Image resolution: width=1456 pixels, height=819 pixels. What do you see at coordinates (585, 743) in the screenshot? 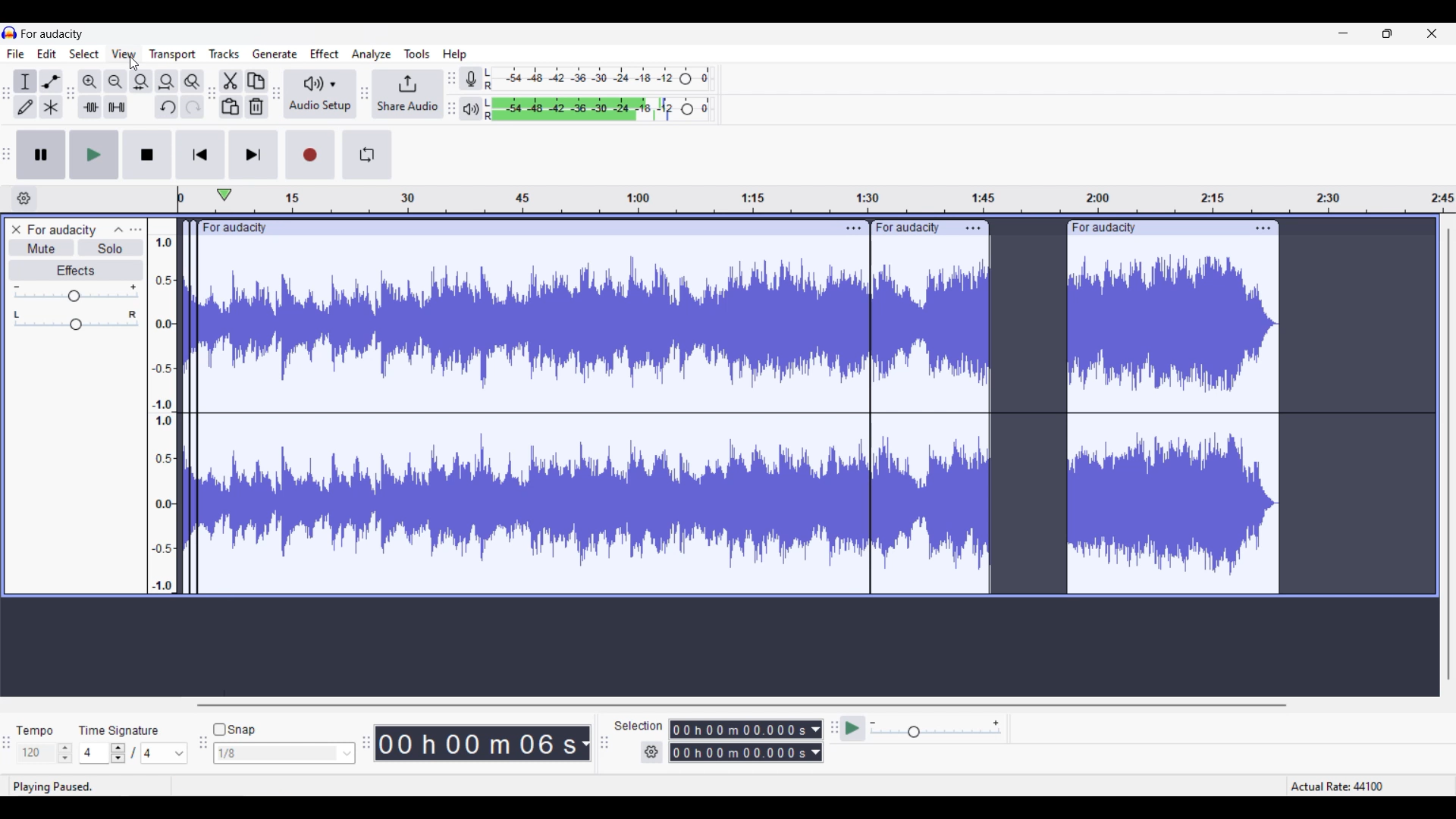
I see `Duration measurement` at bounding box center [585, 743].